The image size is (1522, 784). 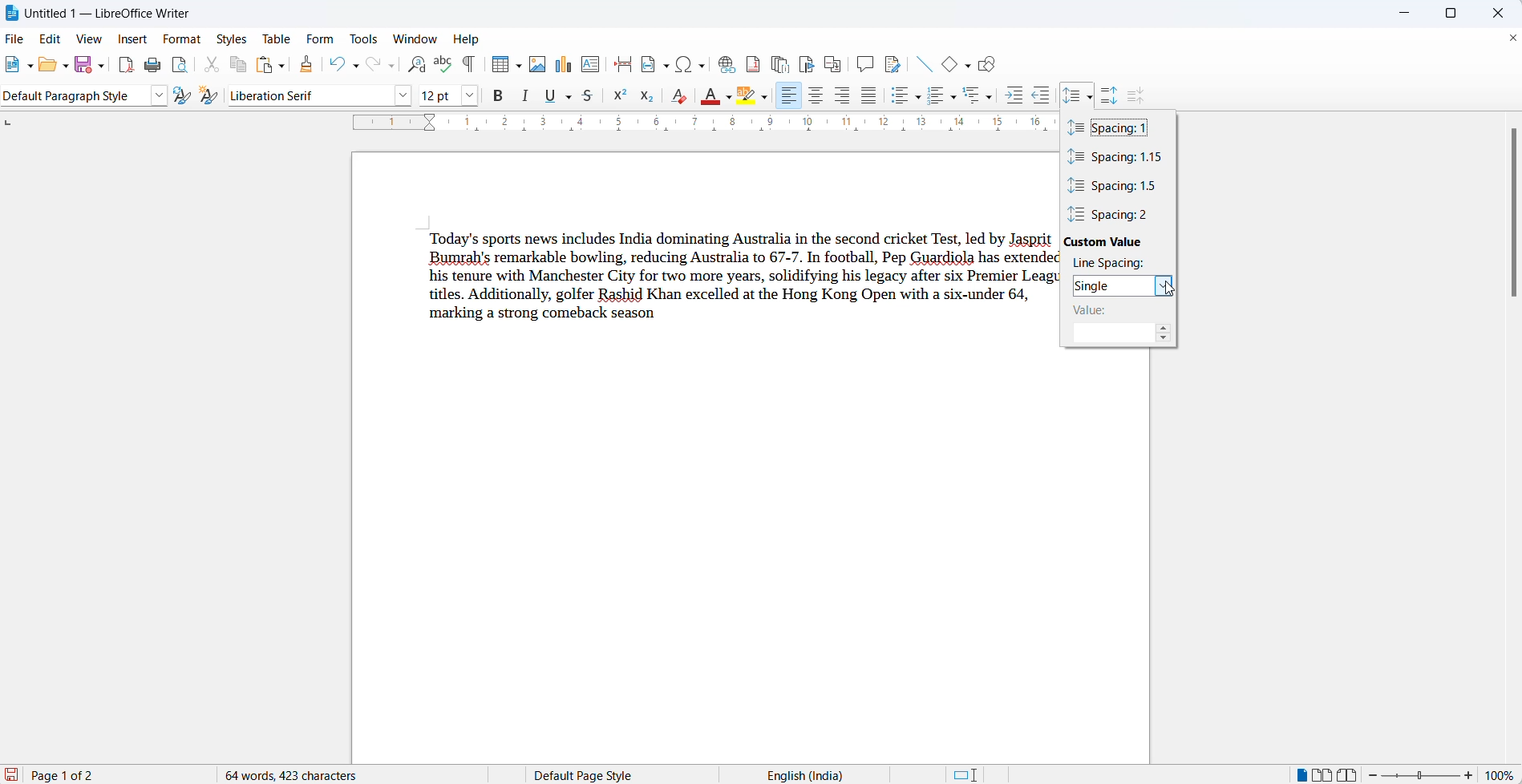 What do you see at coordinates (439, 96) in the screenshot?
I see `font size` at bounding box center [439, 96].